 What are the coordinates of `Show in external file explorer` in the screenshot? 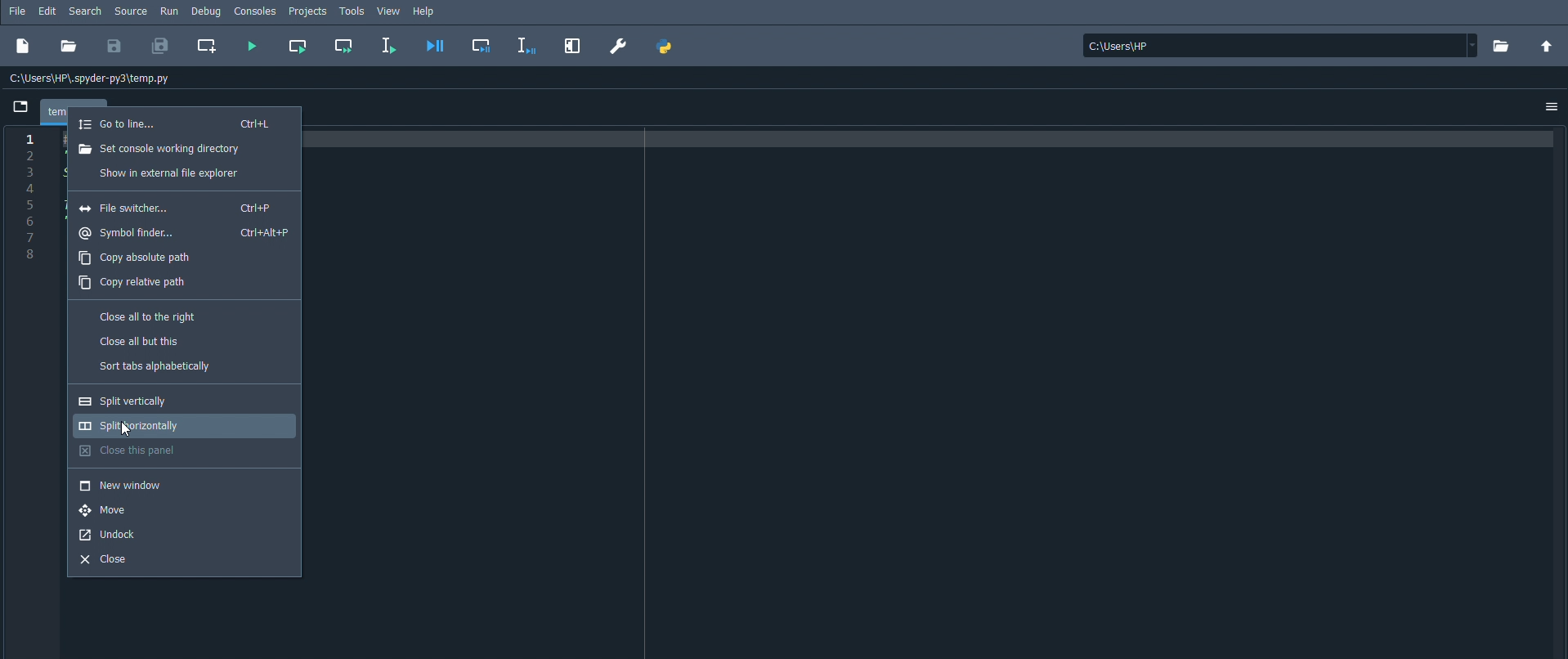 It's located at (166, 173).